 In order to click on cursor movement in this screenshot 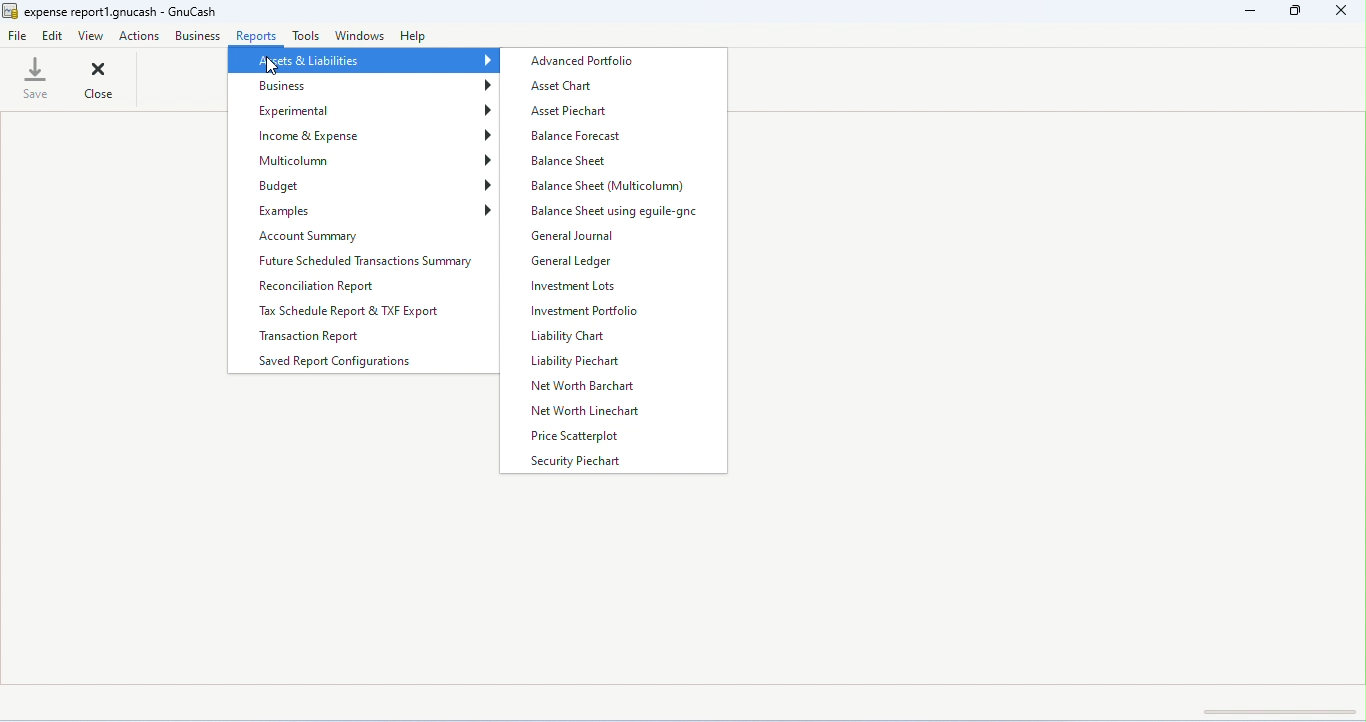, I will do `click(271, 68)`.